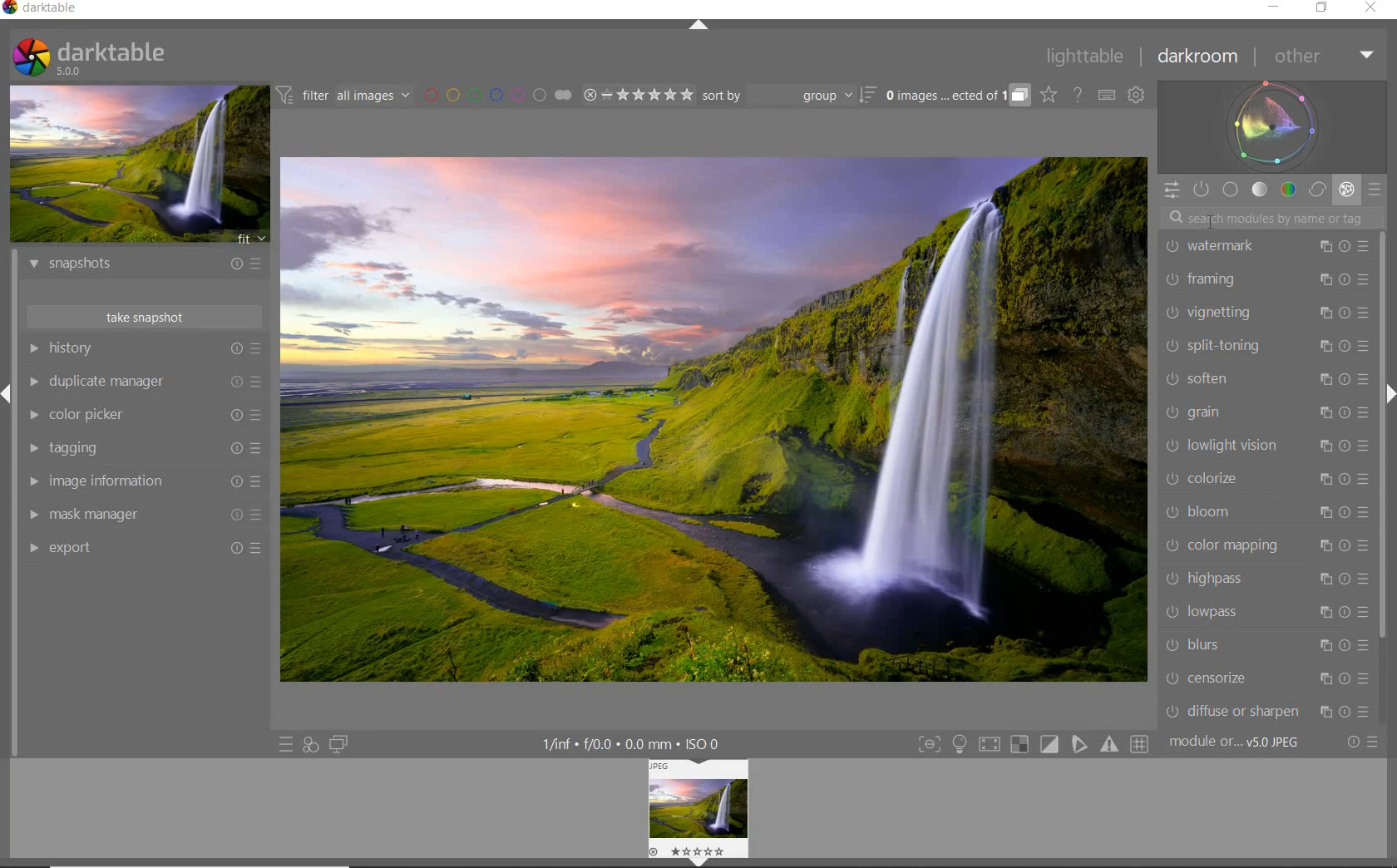 The height and width of the screenshot is (868, 1397). I want to click on RANGE RATING OF SELECTED IMAGES, so click(638, 94).